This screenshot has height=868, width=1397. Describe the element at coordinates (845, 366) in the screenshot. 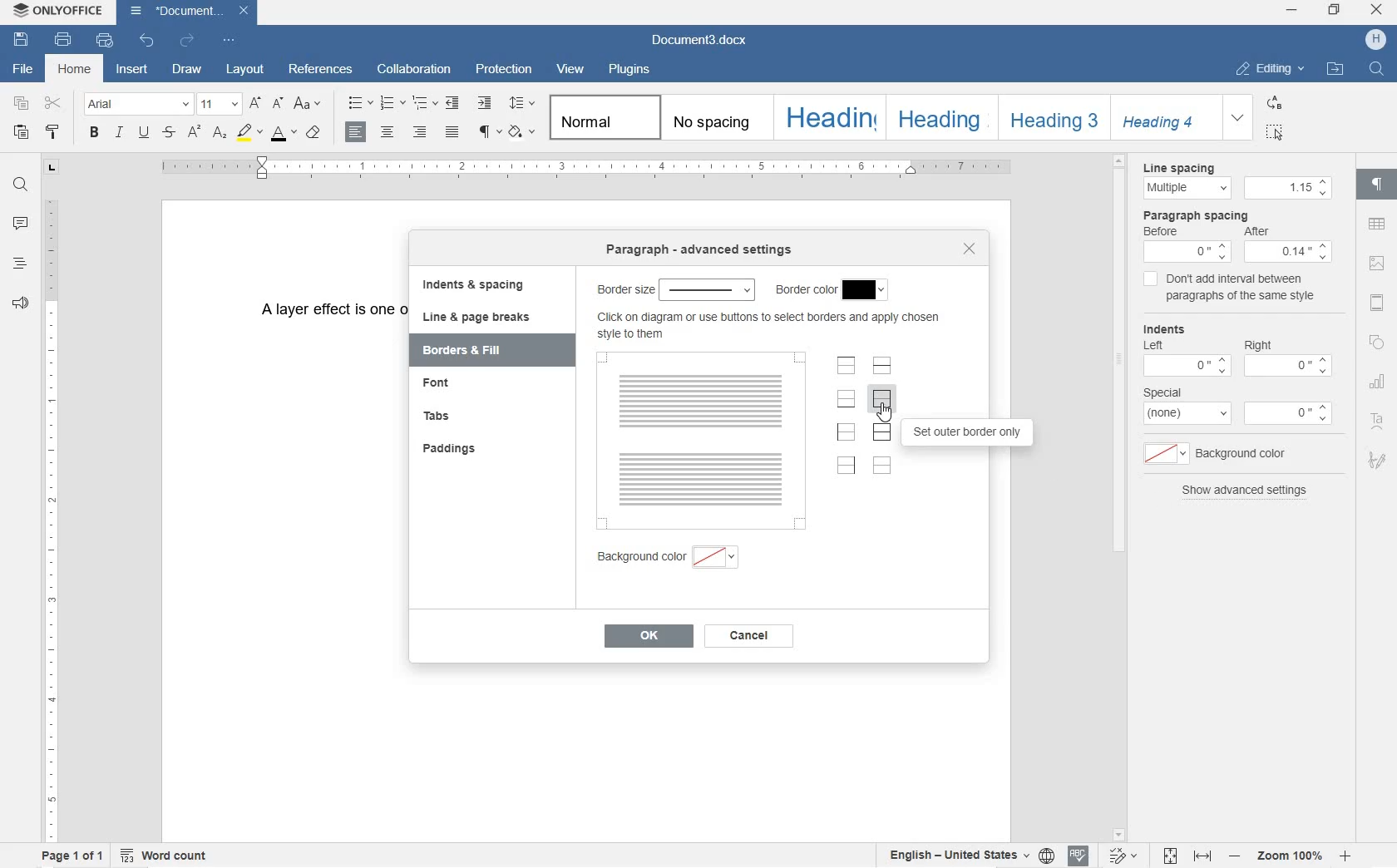

I see `set top border only` at that location.